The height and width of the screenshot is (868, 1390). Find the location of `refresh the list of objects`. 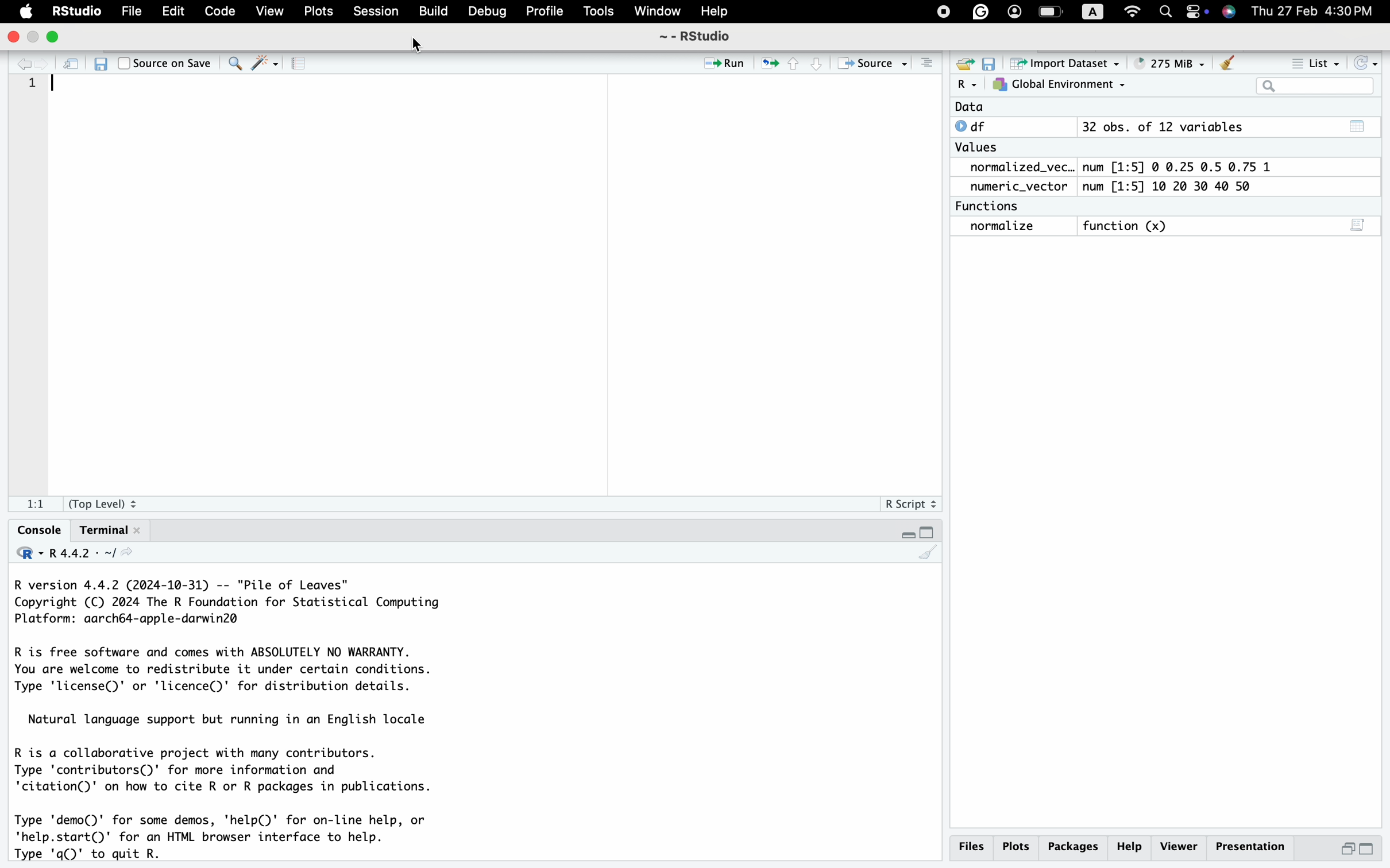

refresh the list of objects is located at coordinates (1370, 61).